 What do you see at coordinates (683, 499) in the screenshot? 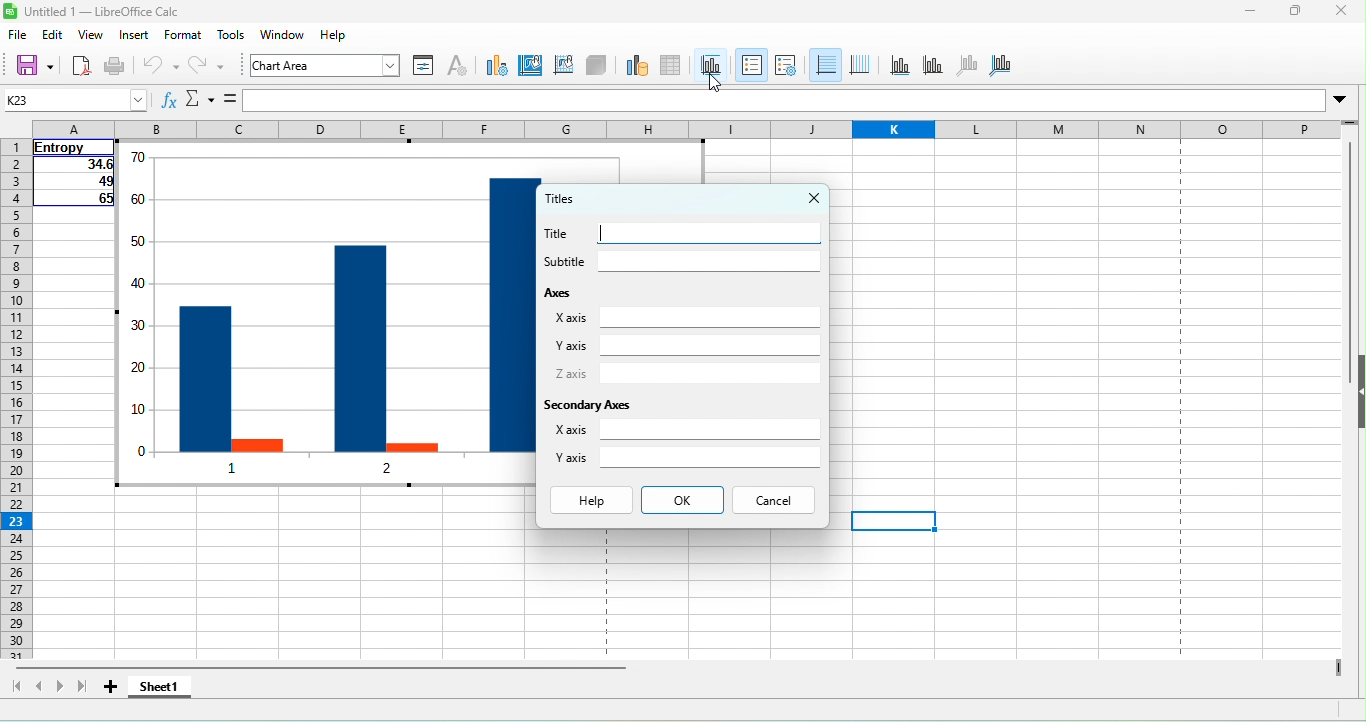
I see `ok` at bounding box center [683, 499].